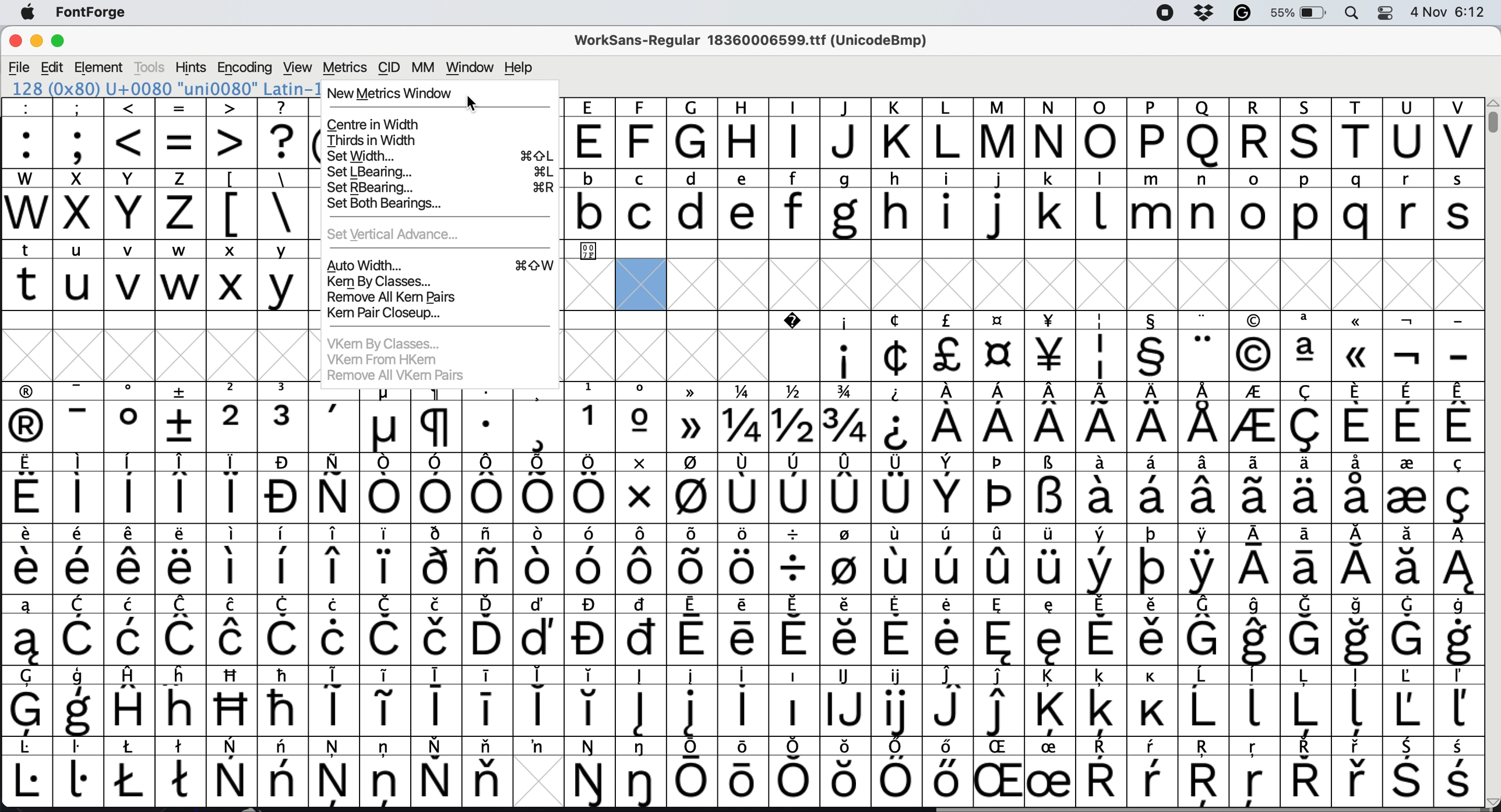 The image size is (1501, 812). I want to click on Window, so click(471, 67).